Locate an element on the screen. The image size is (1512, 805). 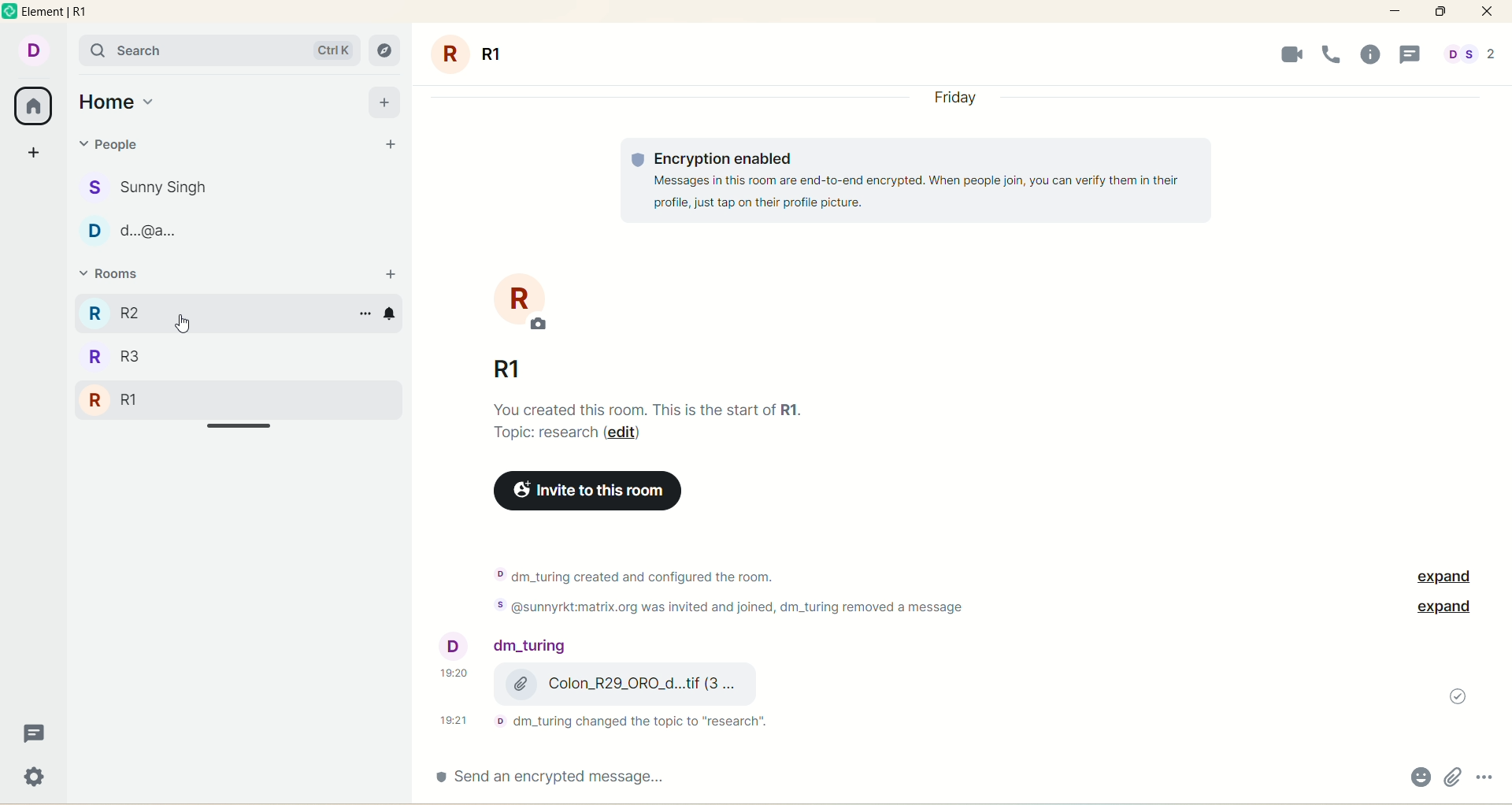
account is located at coordinates (31, 49).